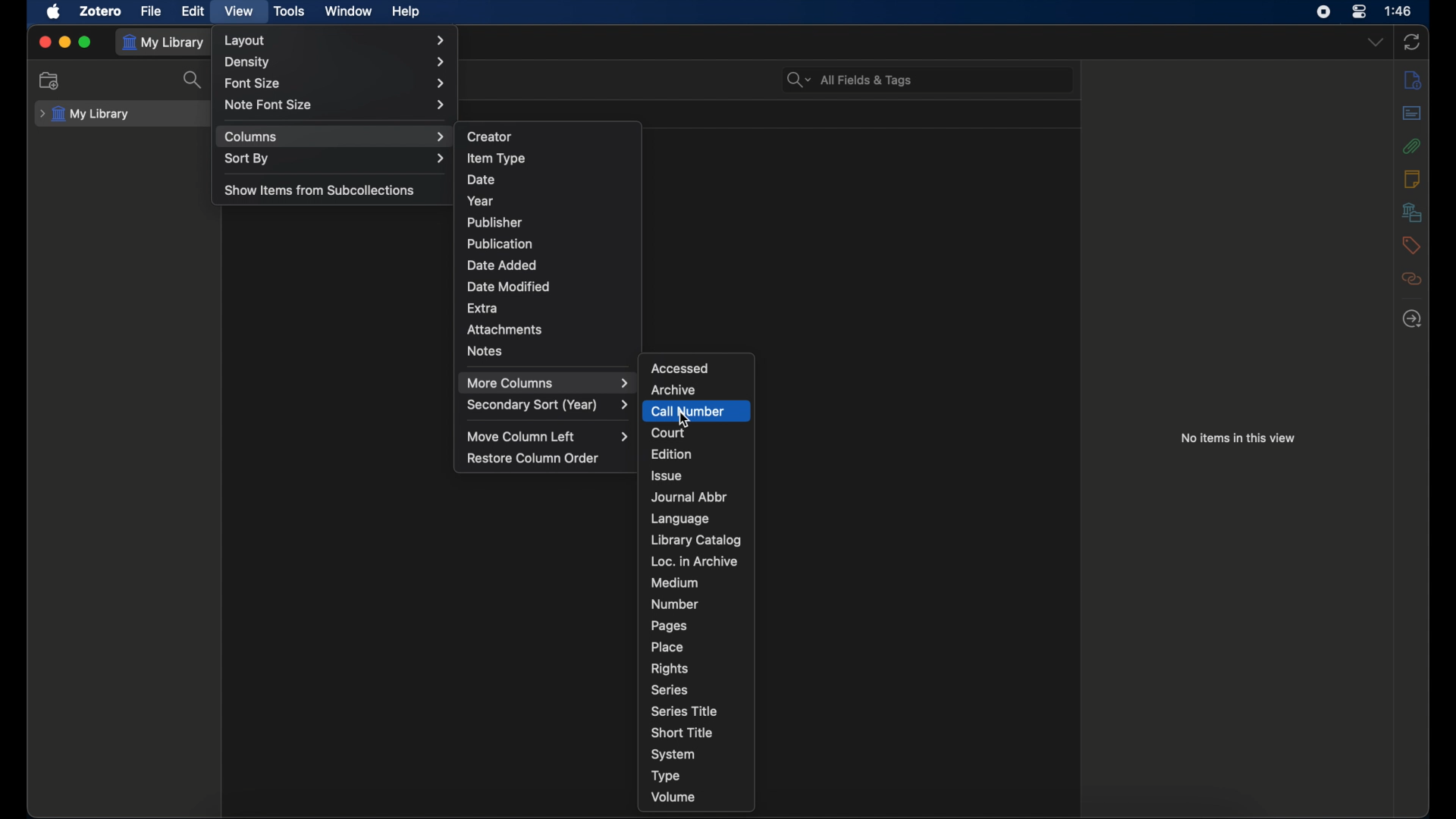 This screenshot has width=1456, height=819. What do you see at coordinates (150, 11) in the screenshot?
I see `file` at bounding box center [150, 11].